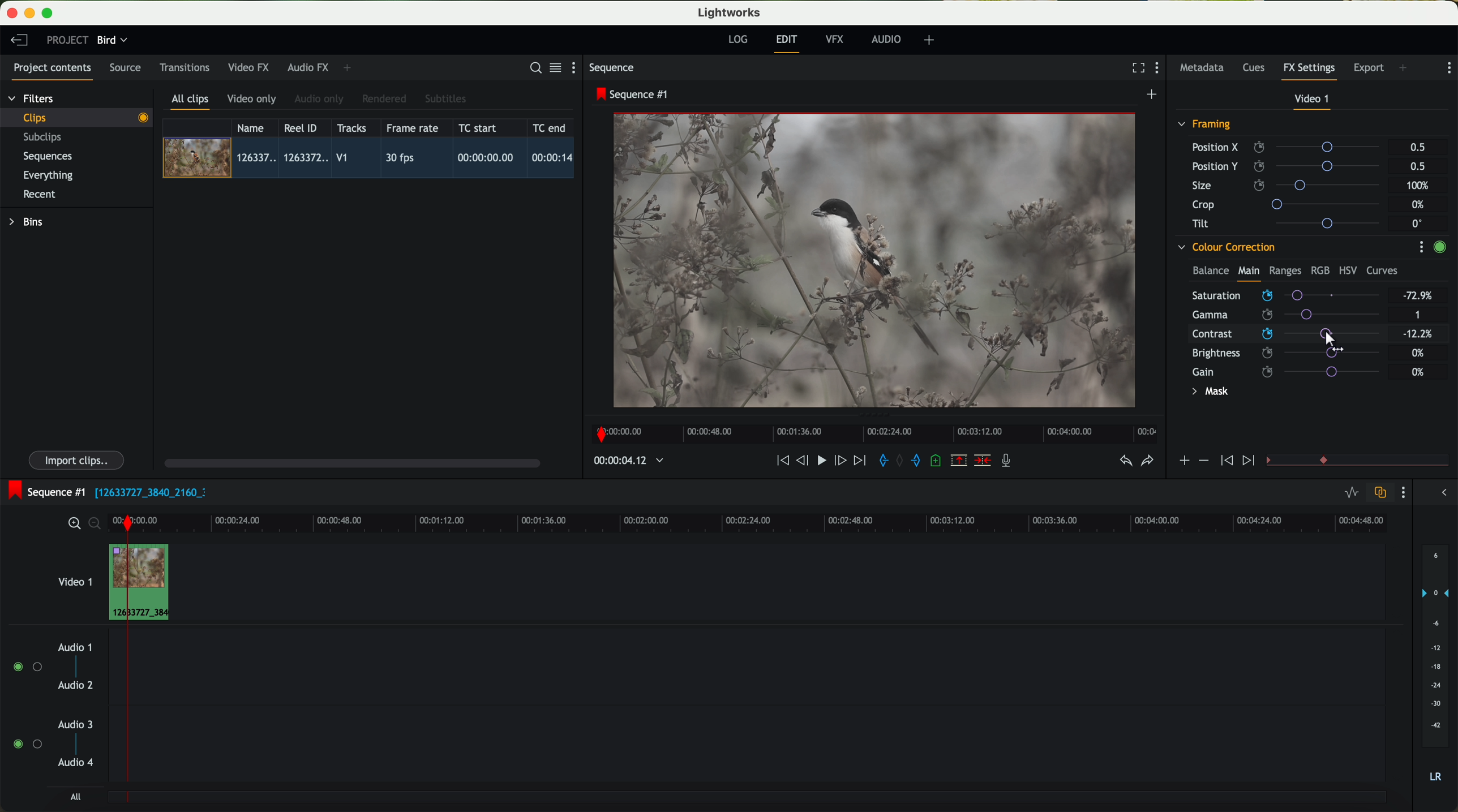  I want to click on 73.8%, so click(1418, 296).